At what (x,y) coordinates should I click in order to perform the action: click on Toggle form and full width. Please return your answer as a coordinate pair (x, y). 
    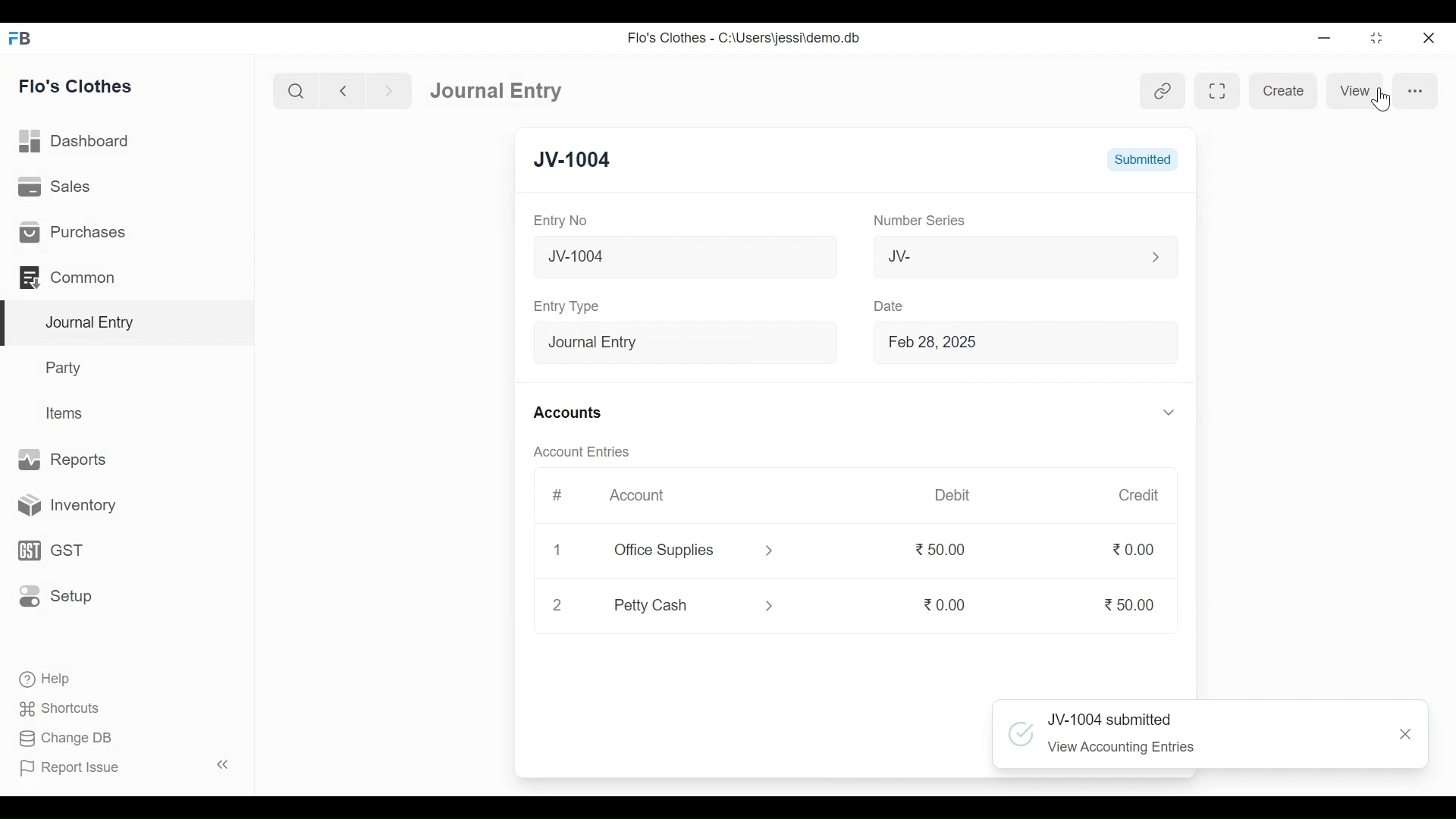
    Looking at the image, I should click on (1220, 92).